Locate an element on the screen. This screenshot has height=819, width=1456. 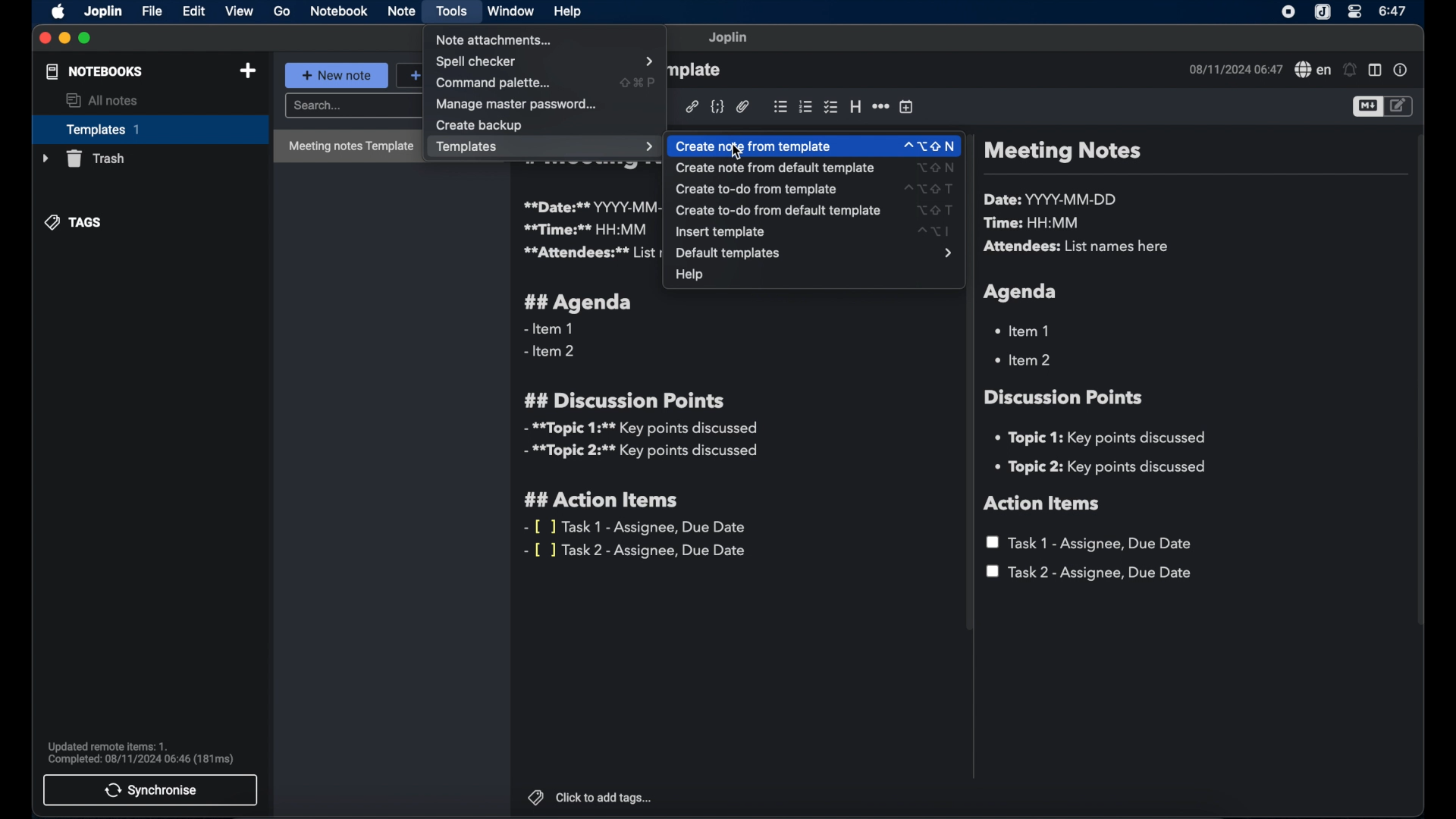
note attachments is located at coordinates (496, 40).